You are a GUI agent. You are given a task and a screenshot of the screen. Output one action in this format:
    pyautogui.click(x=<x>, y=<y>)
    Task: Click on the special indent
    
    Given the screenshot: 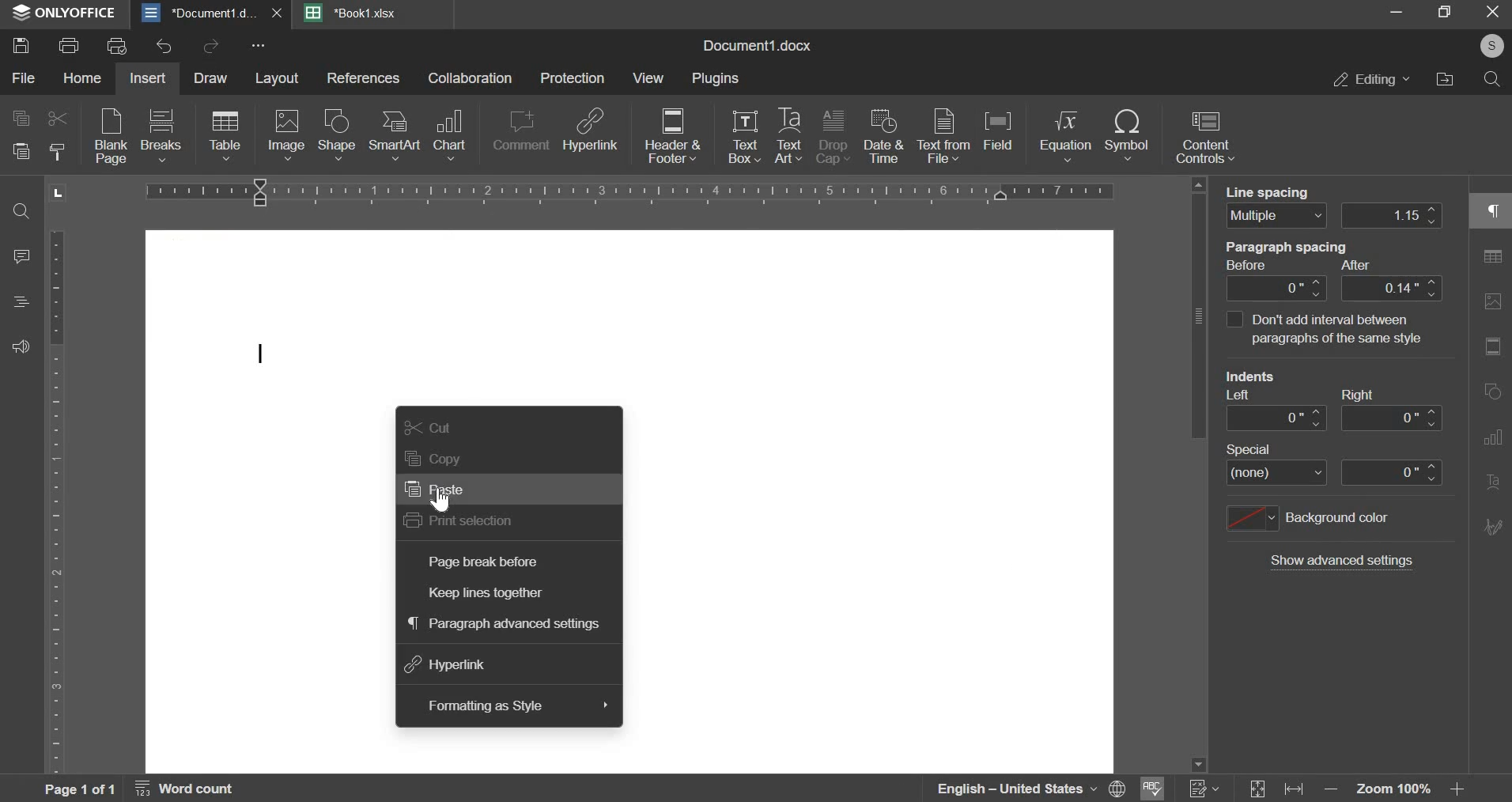 What is the action you would take?
    pyautogui.click(x=1392, y=471)
    